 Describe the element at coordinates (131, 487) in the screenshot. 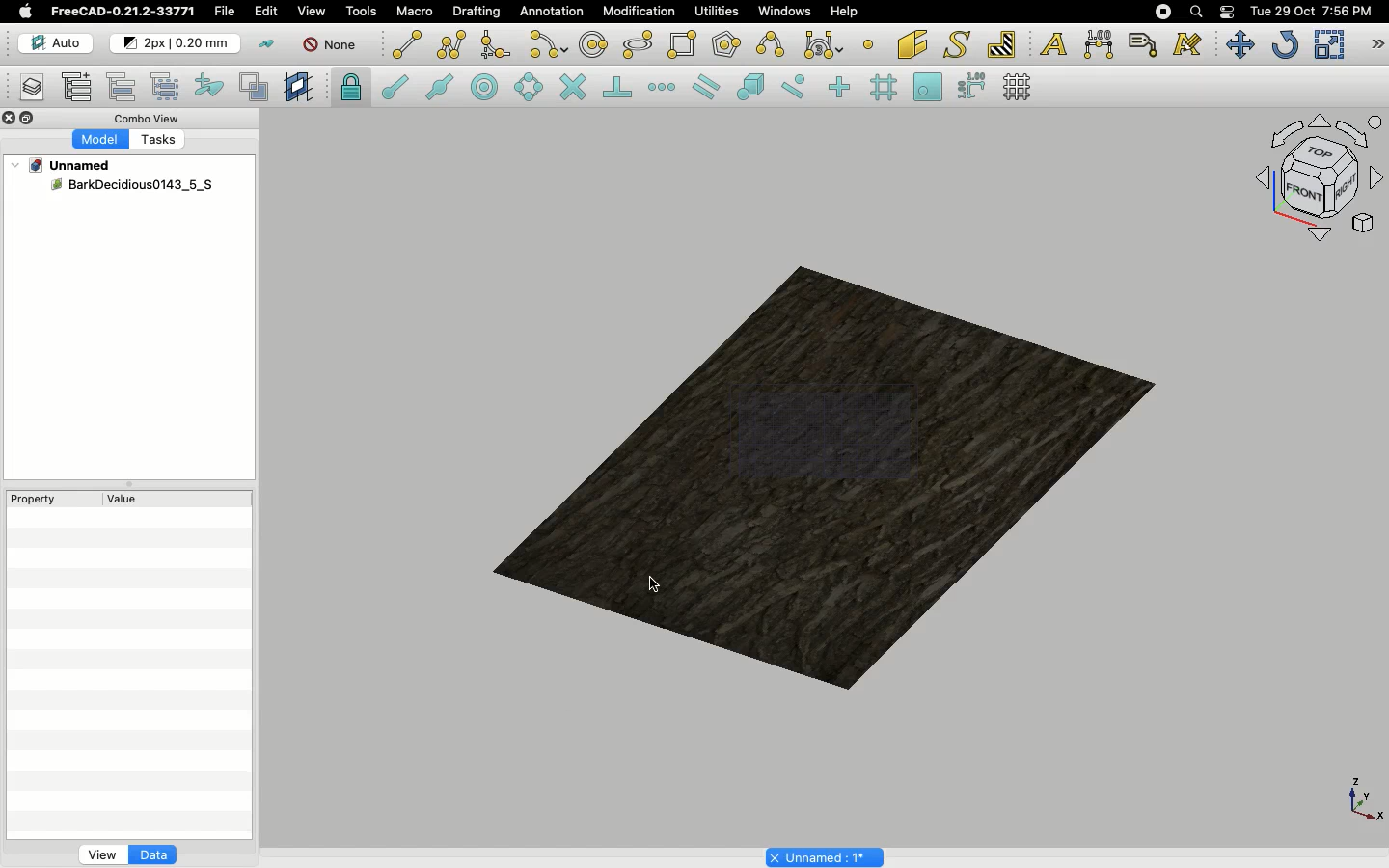

I see `Expan` at that location.